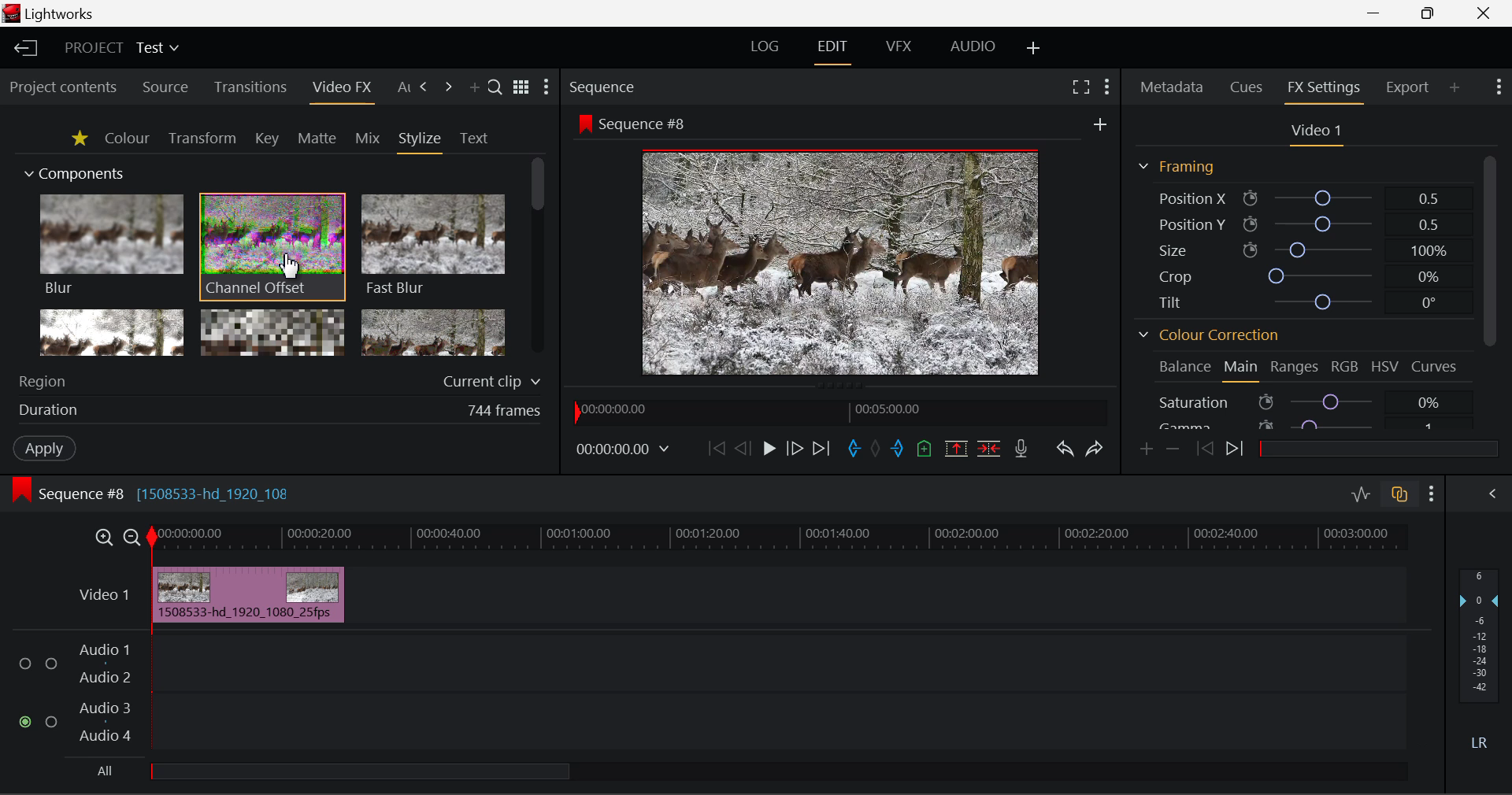 The image size is (1512, 795). Describe the element at coordinates (448, 87) in the screenshot. I see `Next Tab` at that location.